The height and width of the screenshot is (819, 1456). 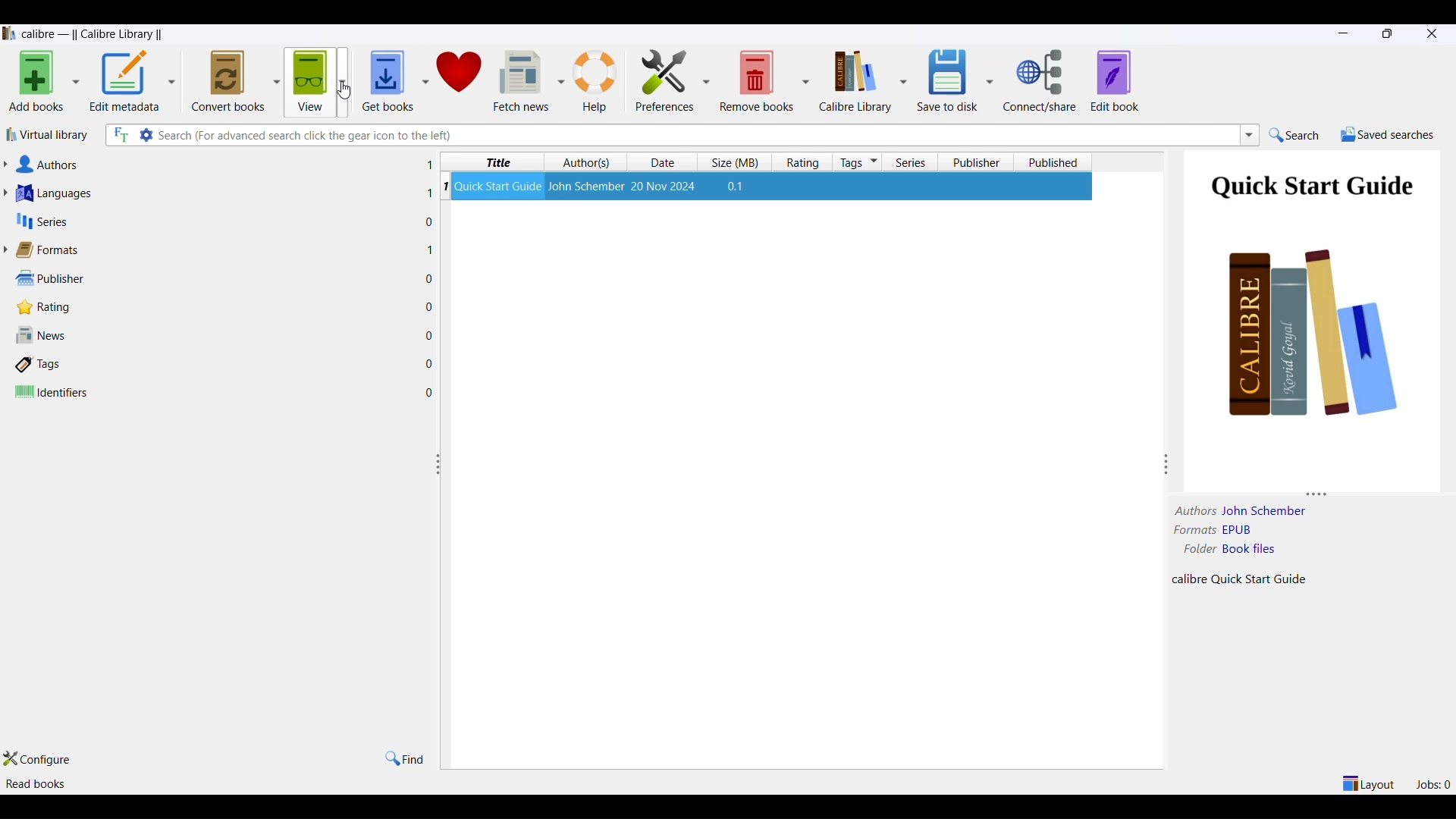 What do you see at coordinates (739, 162) in the screenshot?
I see `size` at bounding box center [739, 162].